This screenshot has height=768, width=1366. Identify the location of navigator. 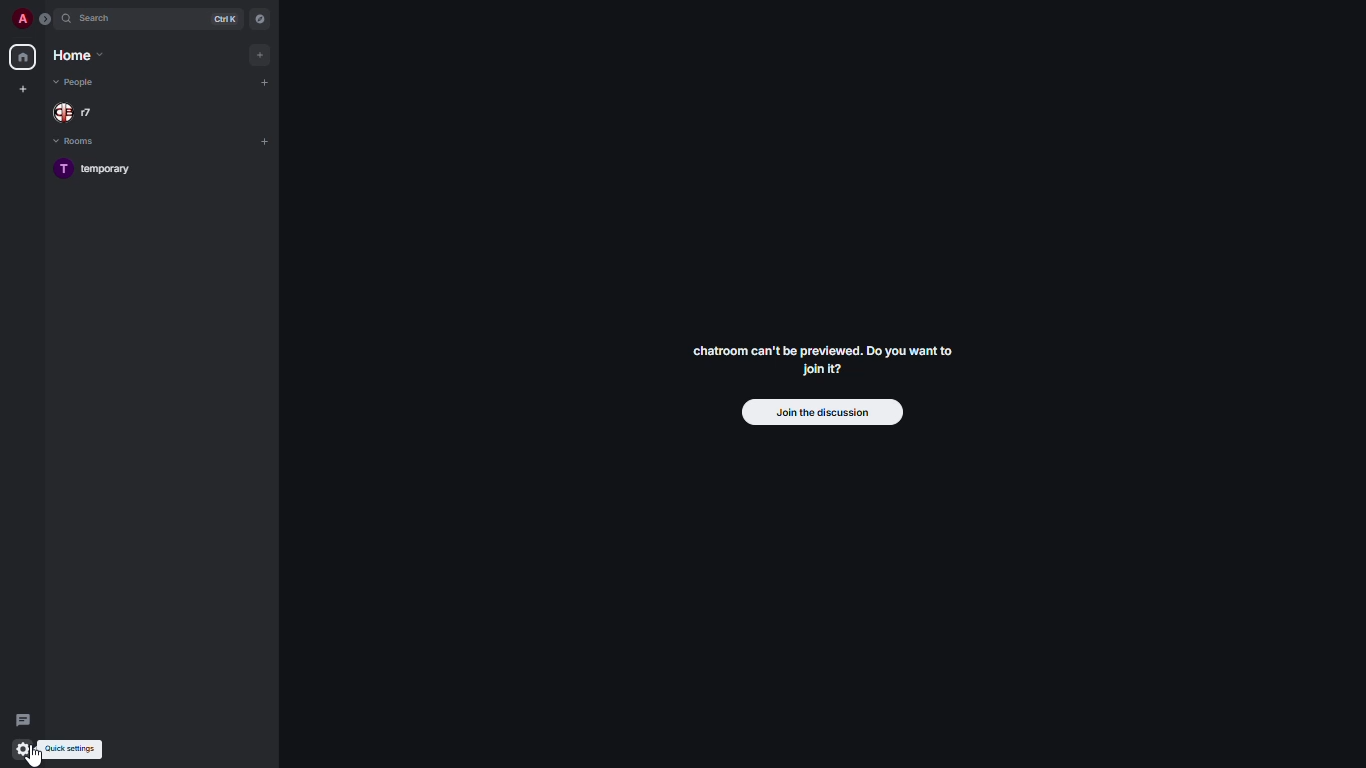
(259, 18).